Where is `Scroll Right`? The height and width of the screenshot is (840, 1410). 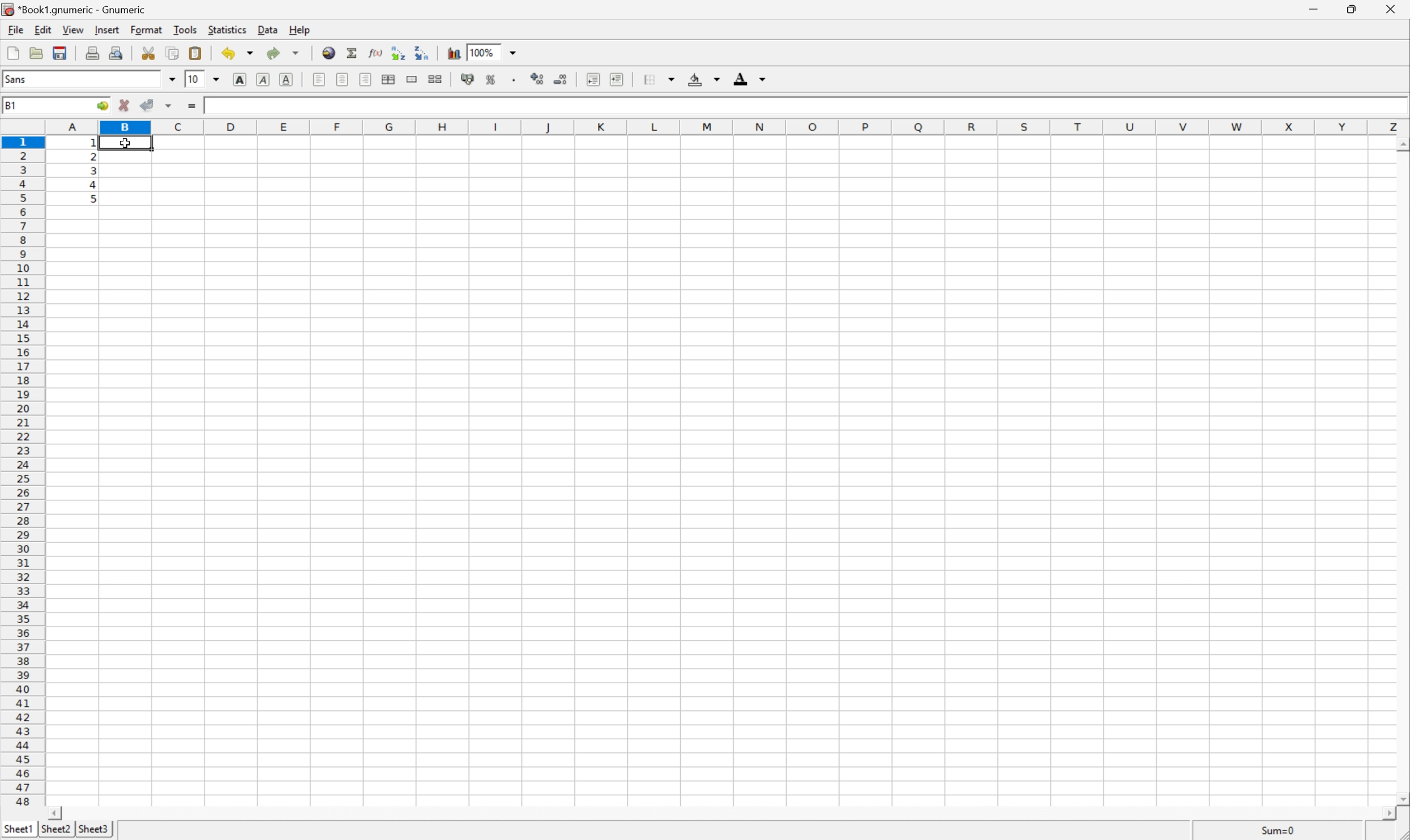 Scroll Right is located at coordinates (1381, 813).